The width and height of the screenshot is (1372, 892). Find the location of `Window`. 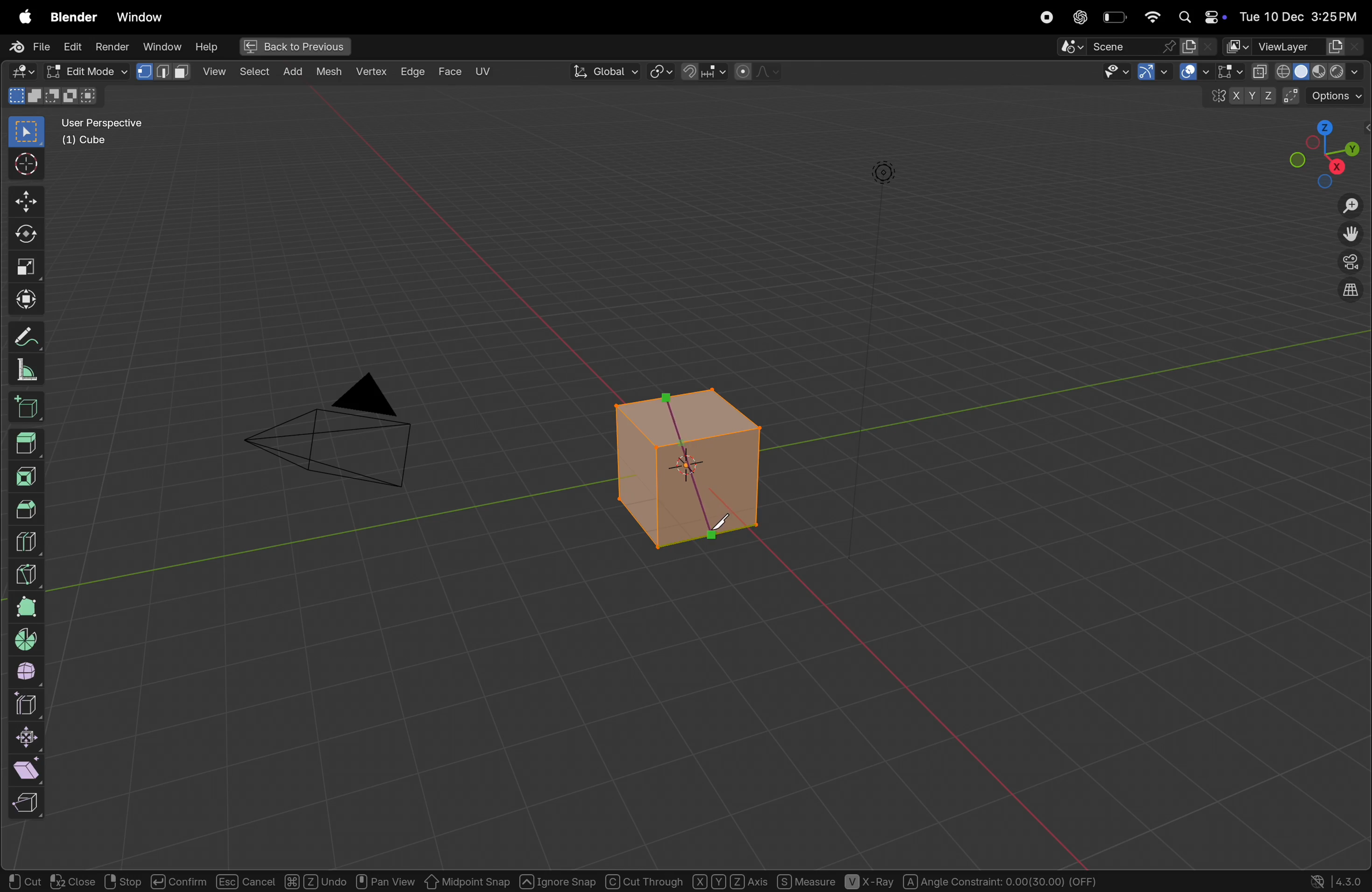

Window is located at coordinates (161, 46).